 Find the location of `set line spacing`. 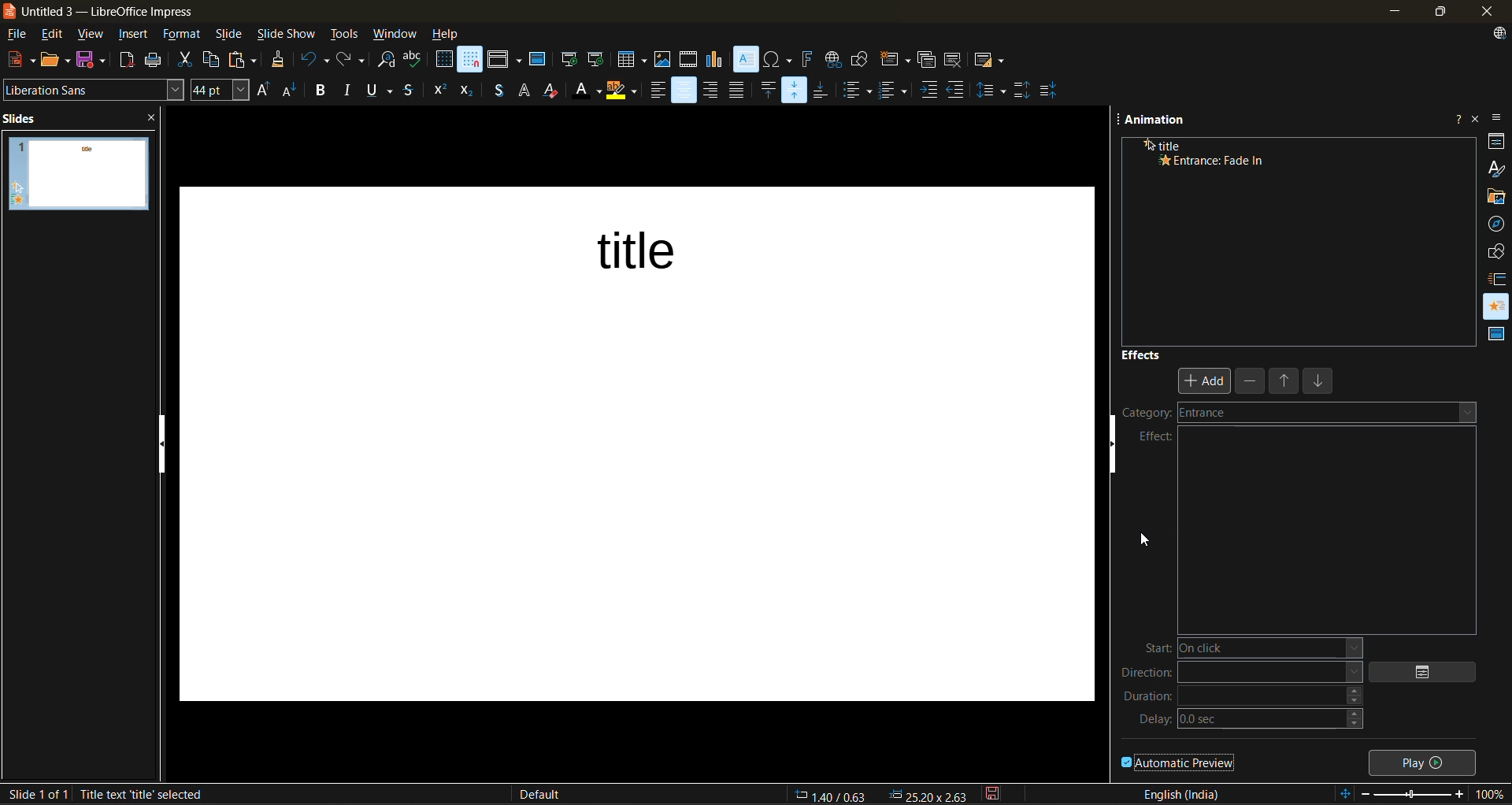

set line spacing is located at coordinates (992, 89).